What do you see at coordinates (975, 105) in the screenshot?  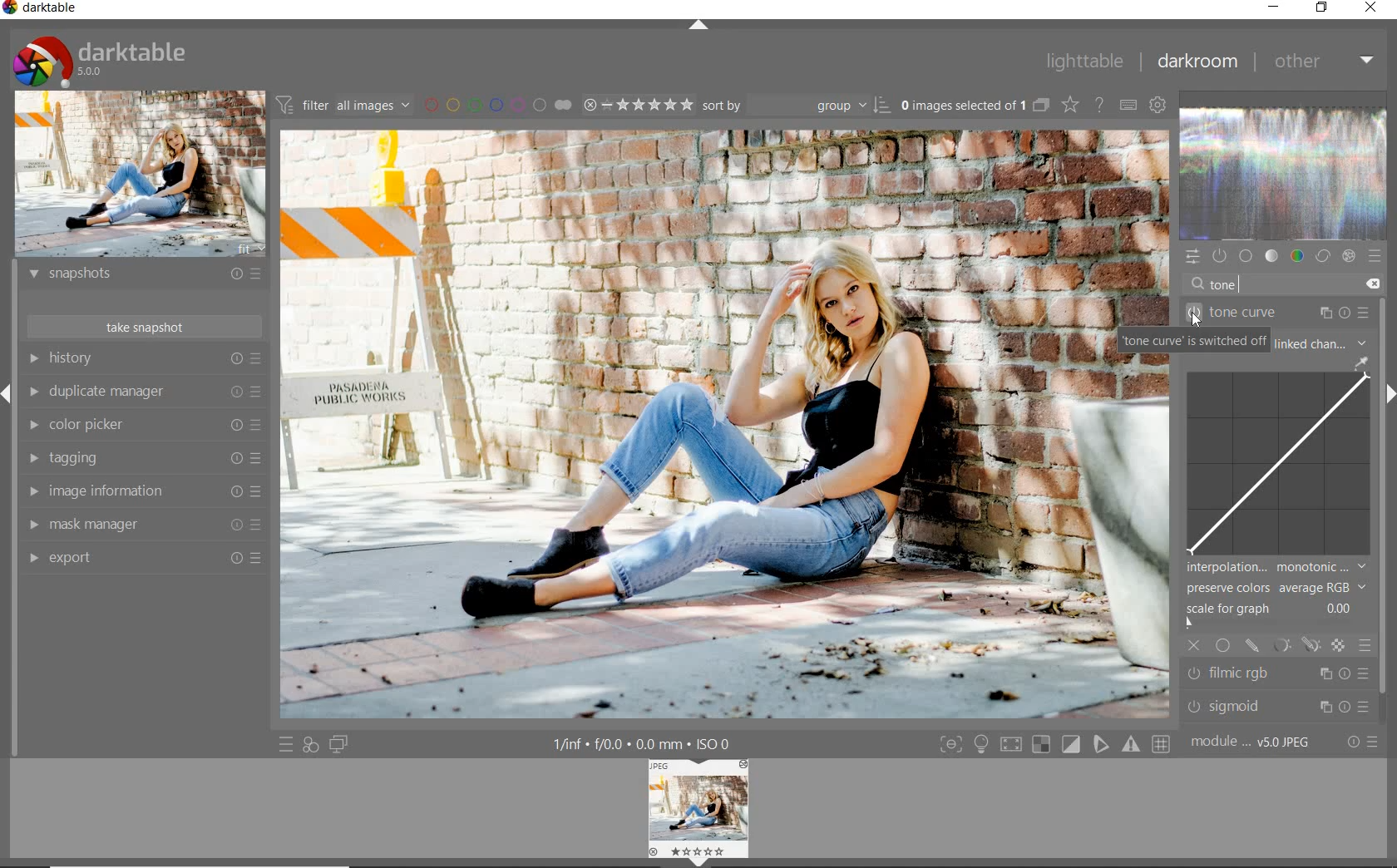 I see `expand grouped images` at bounding box center [975, 105].